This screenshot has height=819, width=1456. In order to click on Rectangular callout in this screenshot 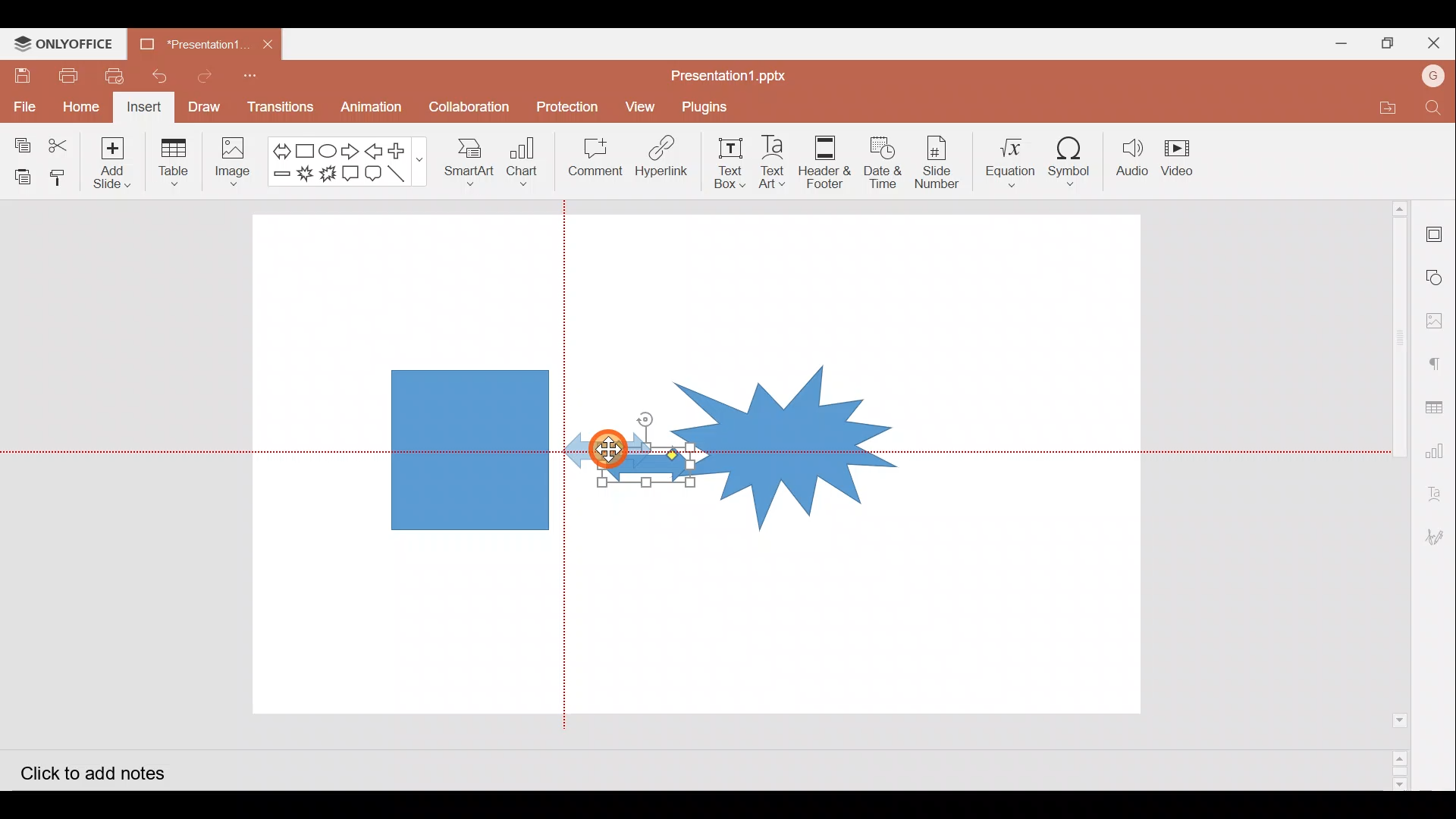, I will do `click(353, 173)`.